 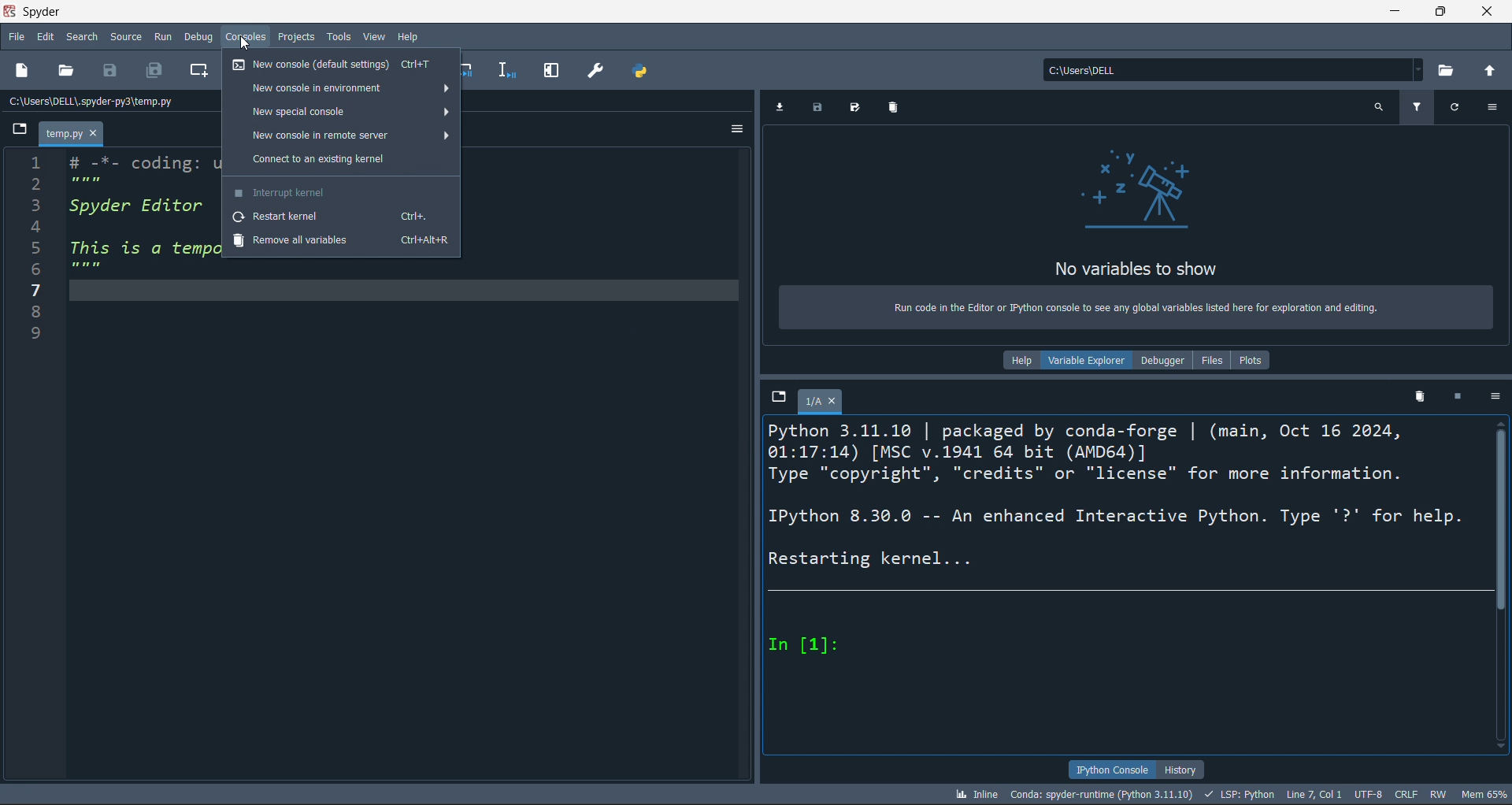 I want to click on Run code in the Editor or Python console to see any global variables listed here for exploration and editing., so click(x=1135, y=311).